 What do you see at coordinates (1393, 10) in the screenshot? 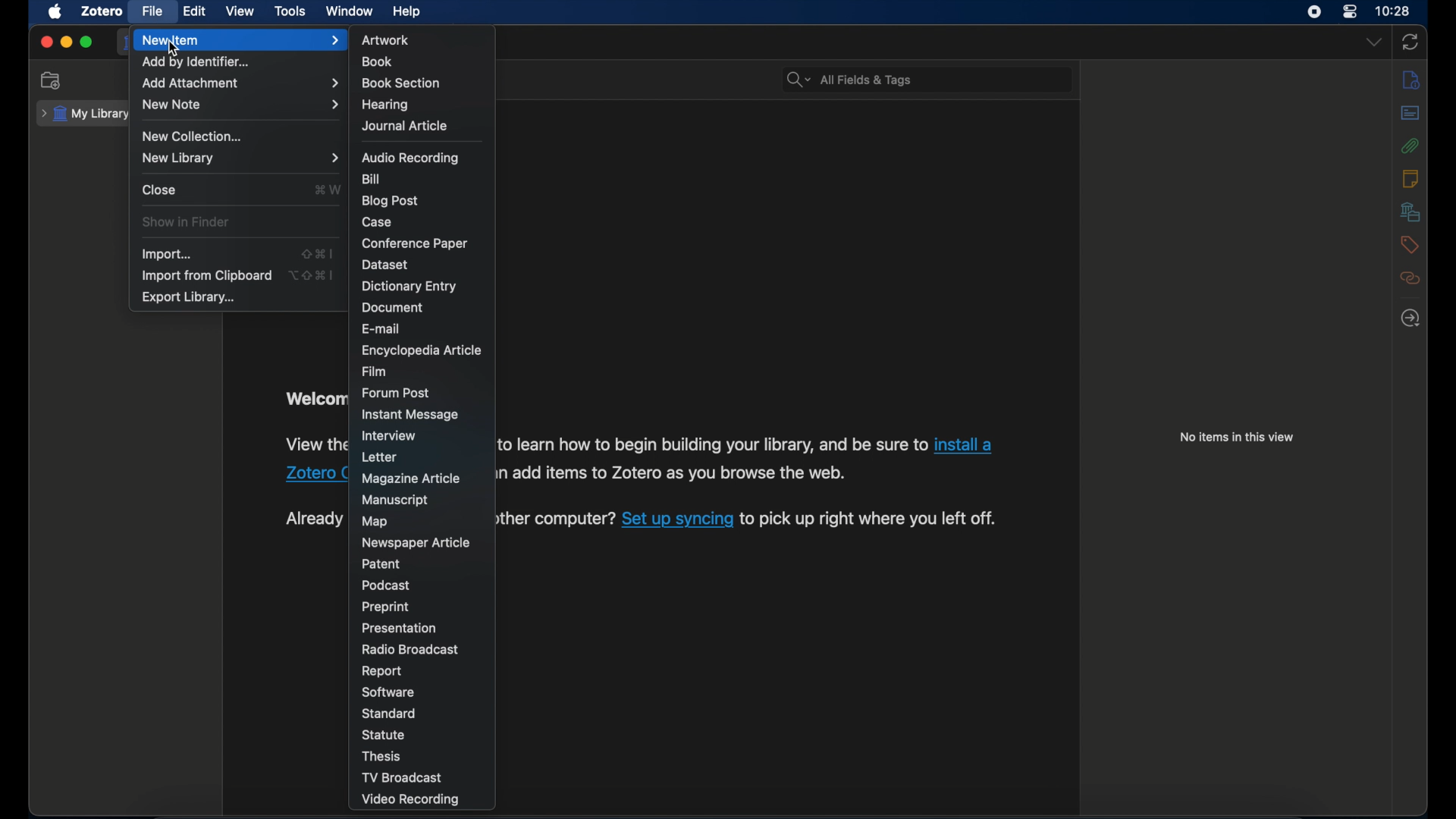
I see `time` at bounding box center [1393, 10].